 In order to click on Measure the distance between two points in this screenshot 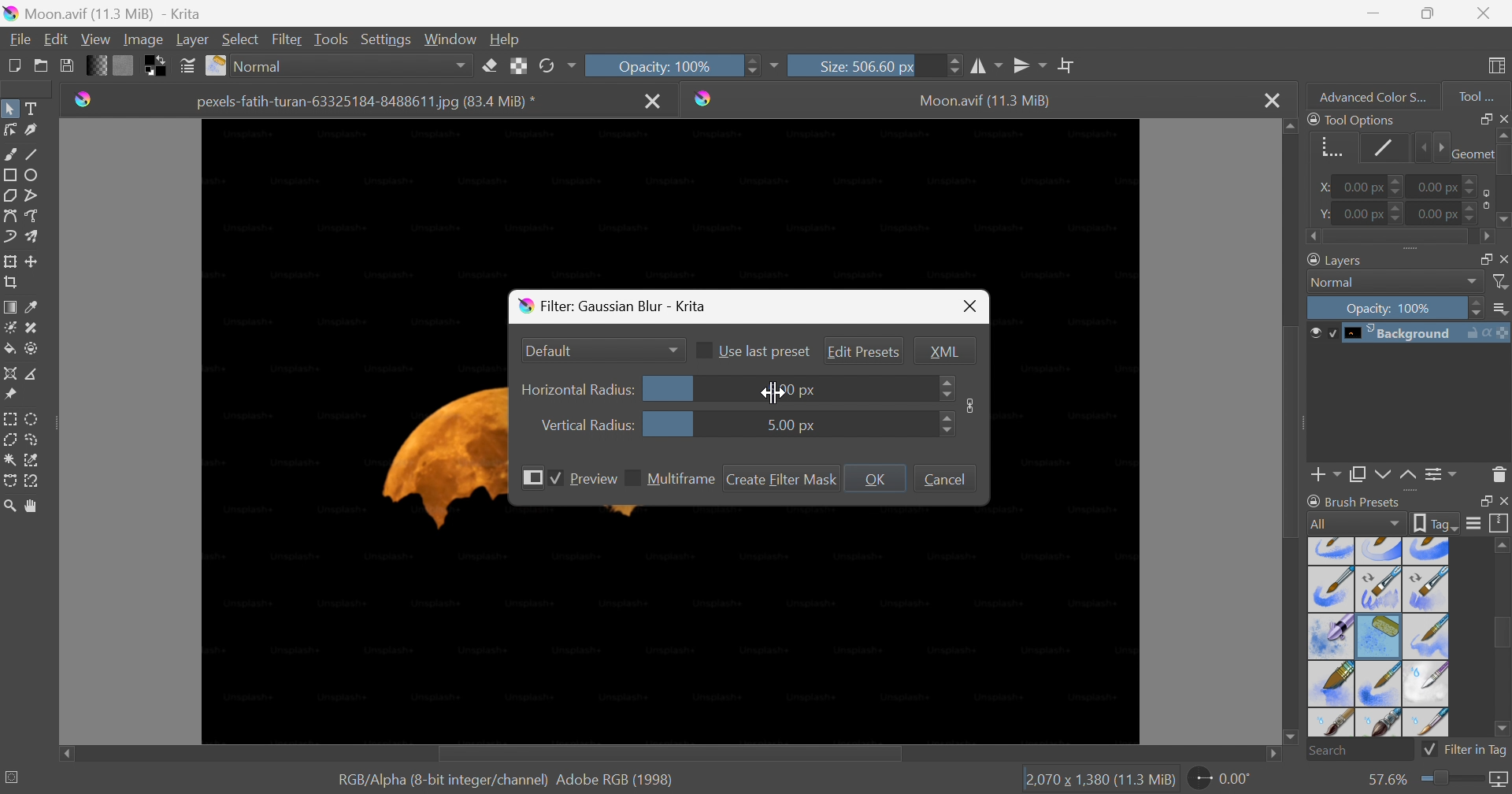, I will do `click(33, 373)`.